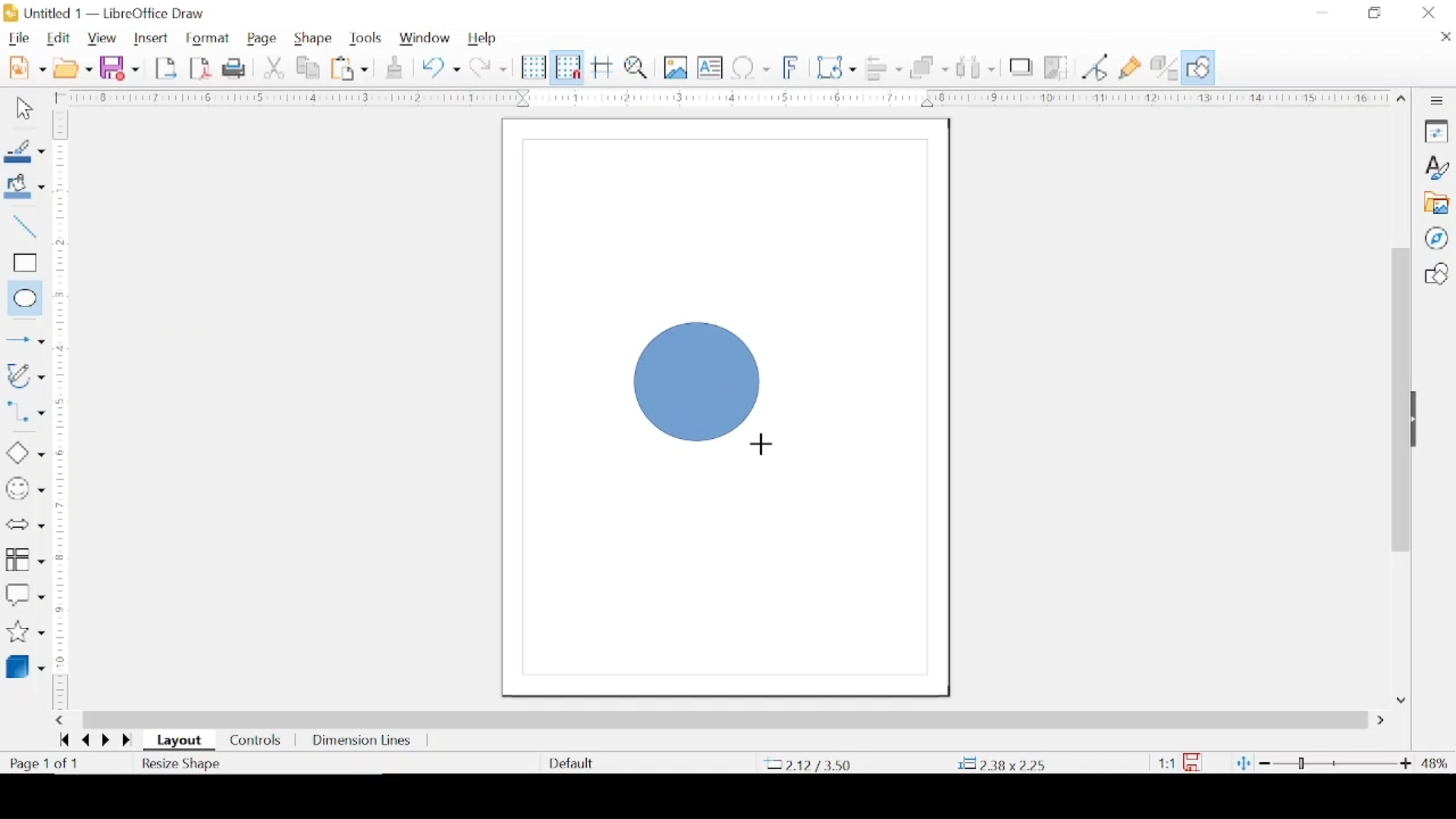 The height and width of the screenshot is (819, 1456). What do you see at coordinates (46, 764) in the screenshot?
I see `page count` at bounding box center [46, 764].